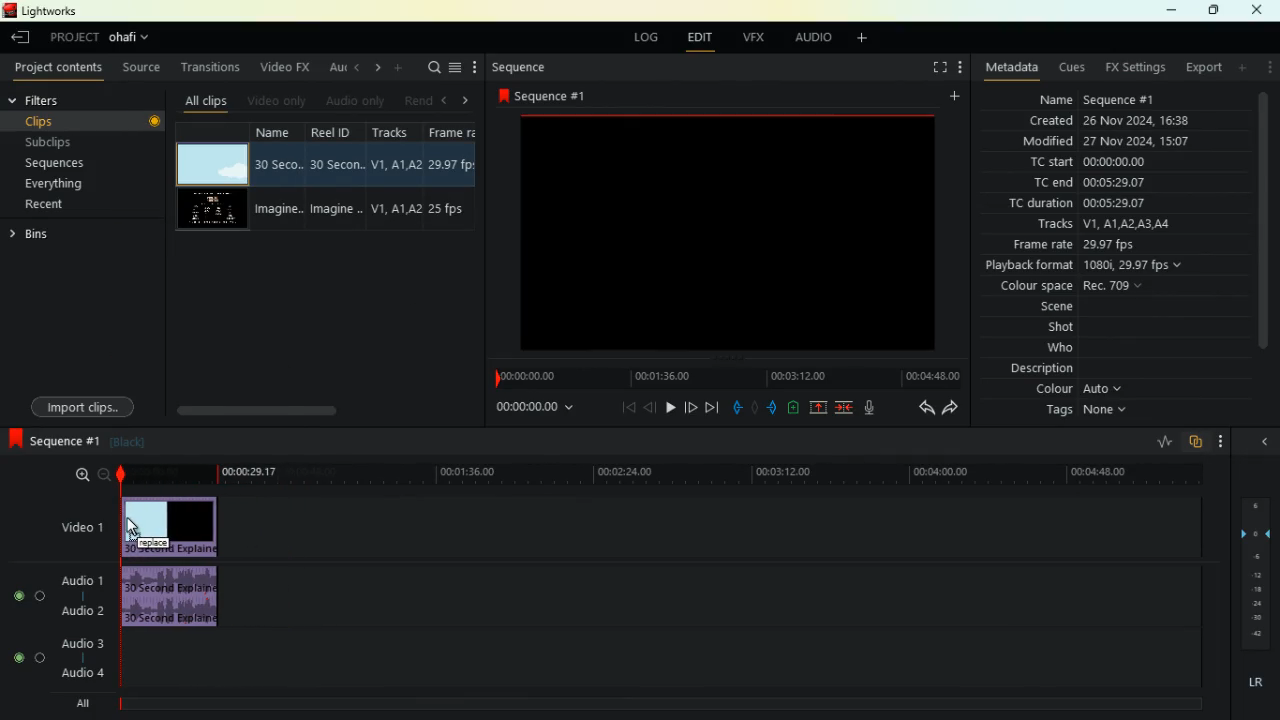  Describe the element at coordinates (75, 581) in the screenshot. I see `audio 1` at that location.